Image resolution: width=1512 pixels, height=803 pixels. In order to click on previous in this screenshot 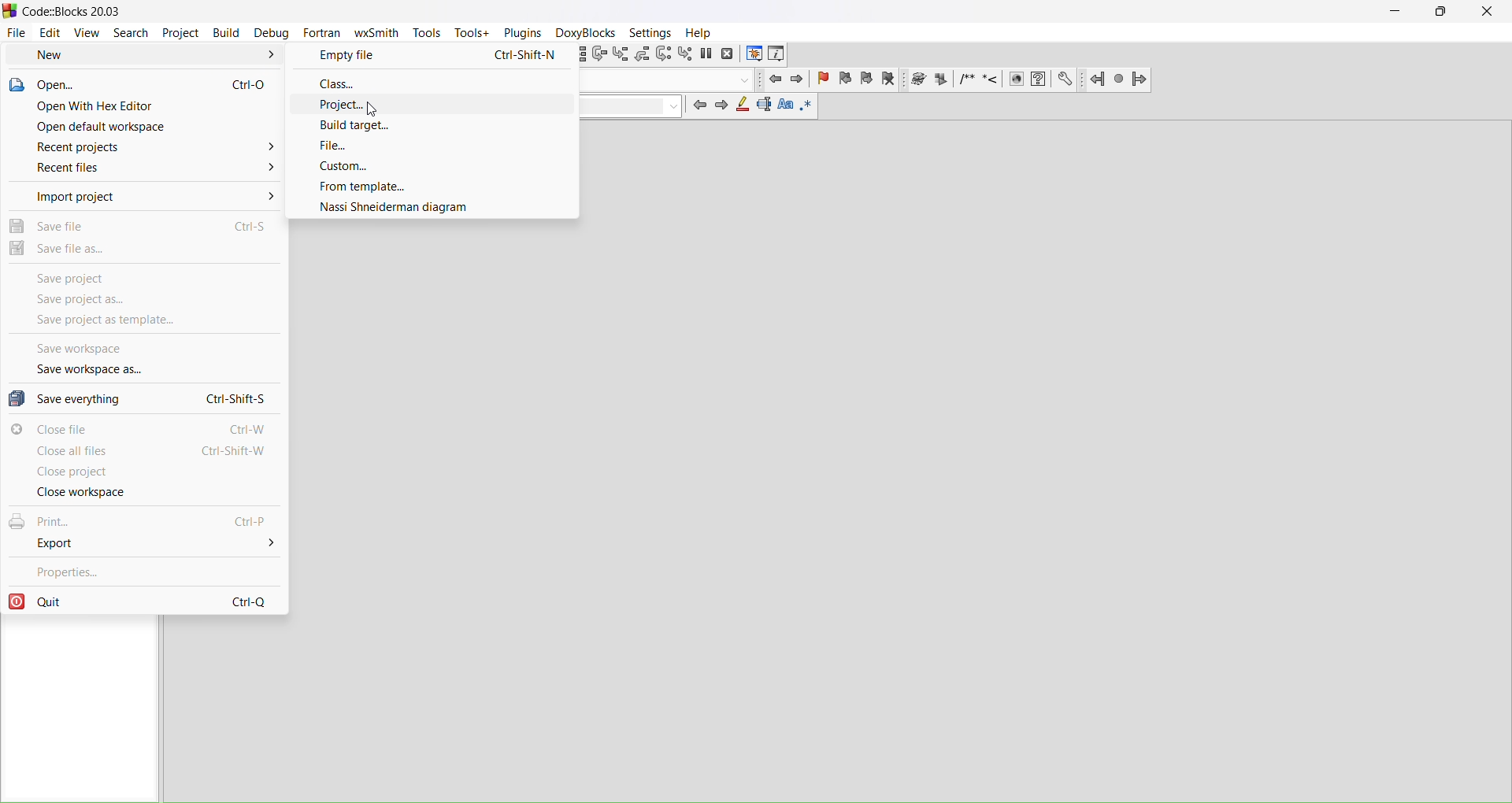, I will do `click(701, 108)`.